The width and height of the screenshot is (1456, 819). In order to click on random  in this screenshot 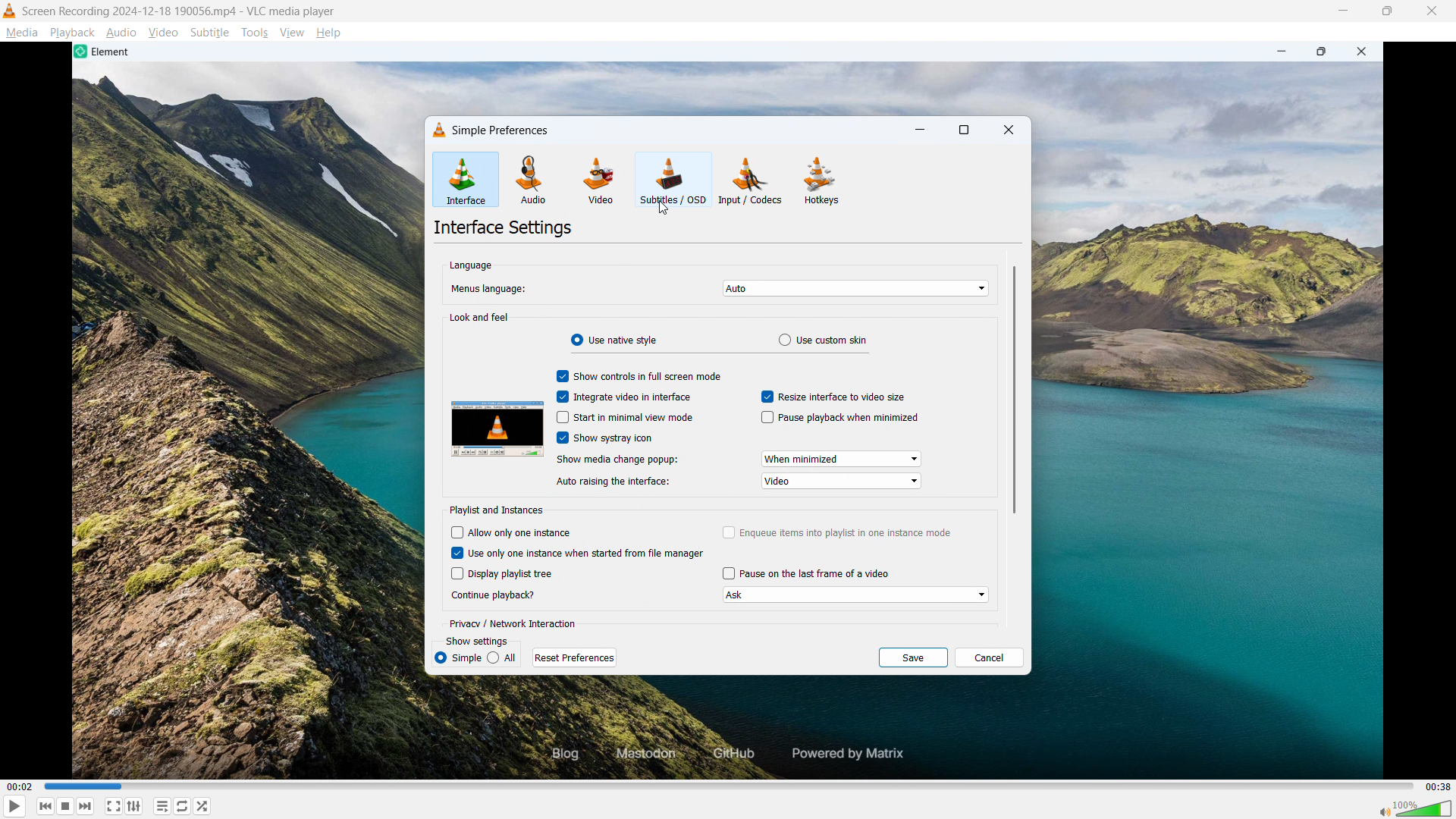, I will do `click(203, 806)`.